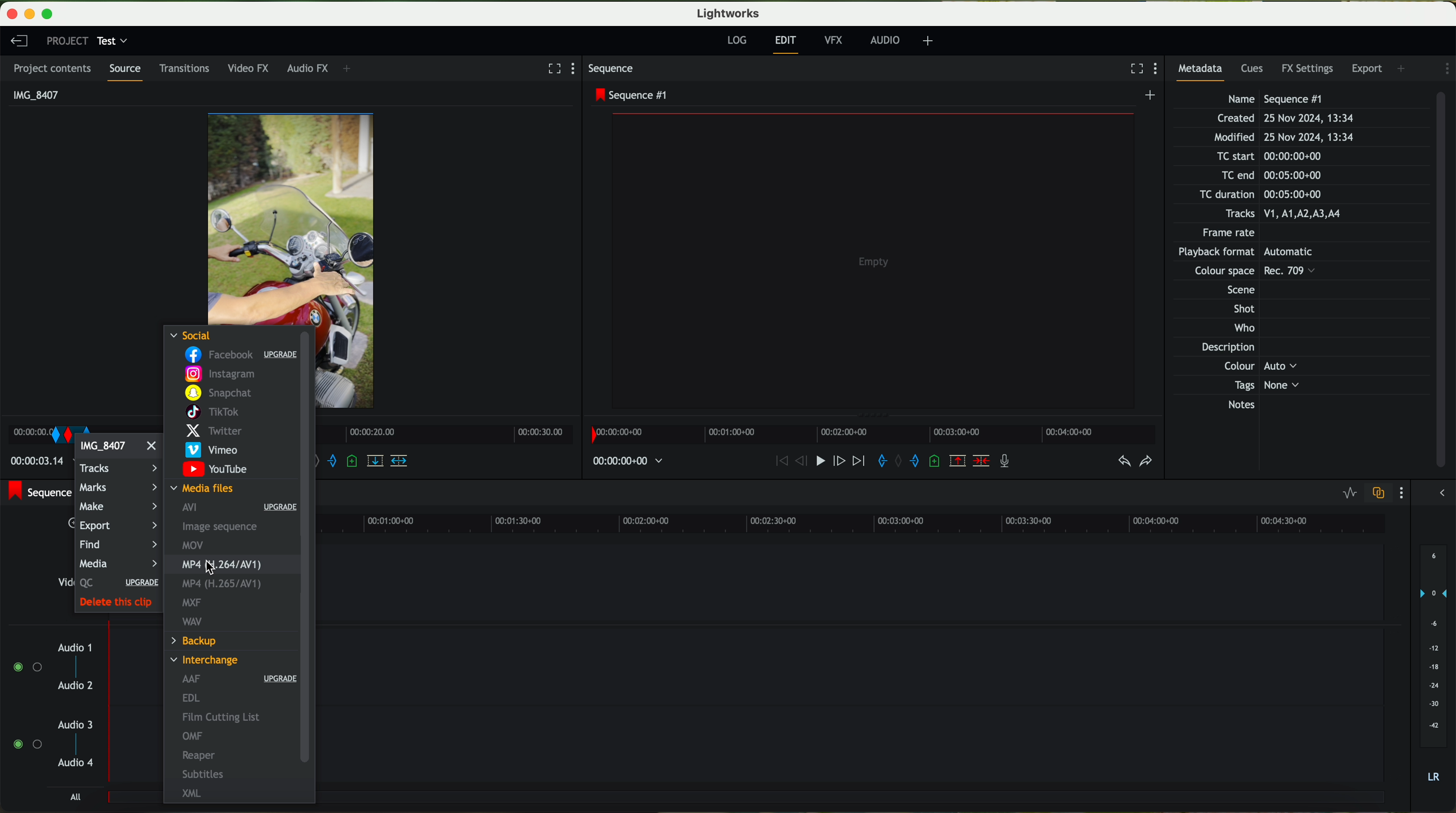 The height and width of the screenshot is (813, 1456). What do you see at coordinates (351, 70) in the screenshot?
I see `+` at bounding box center [351, 70].